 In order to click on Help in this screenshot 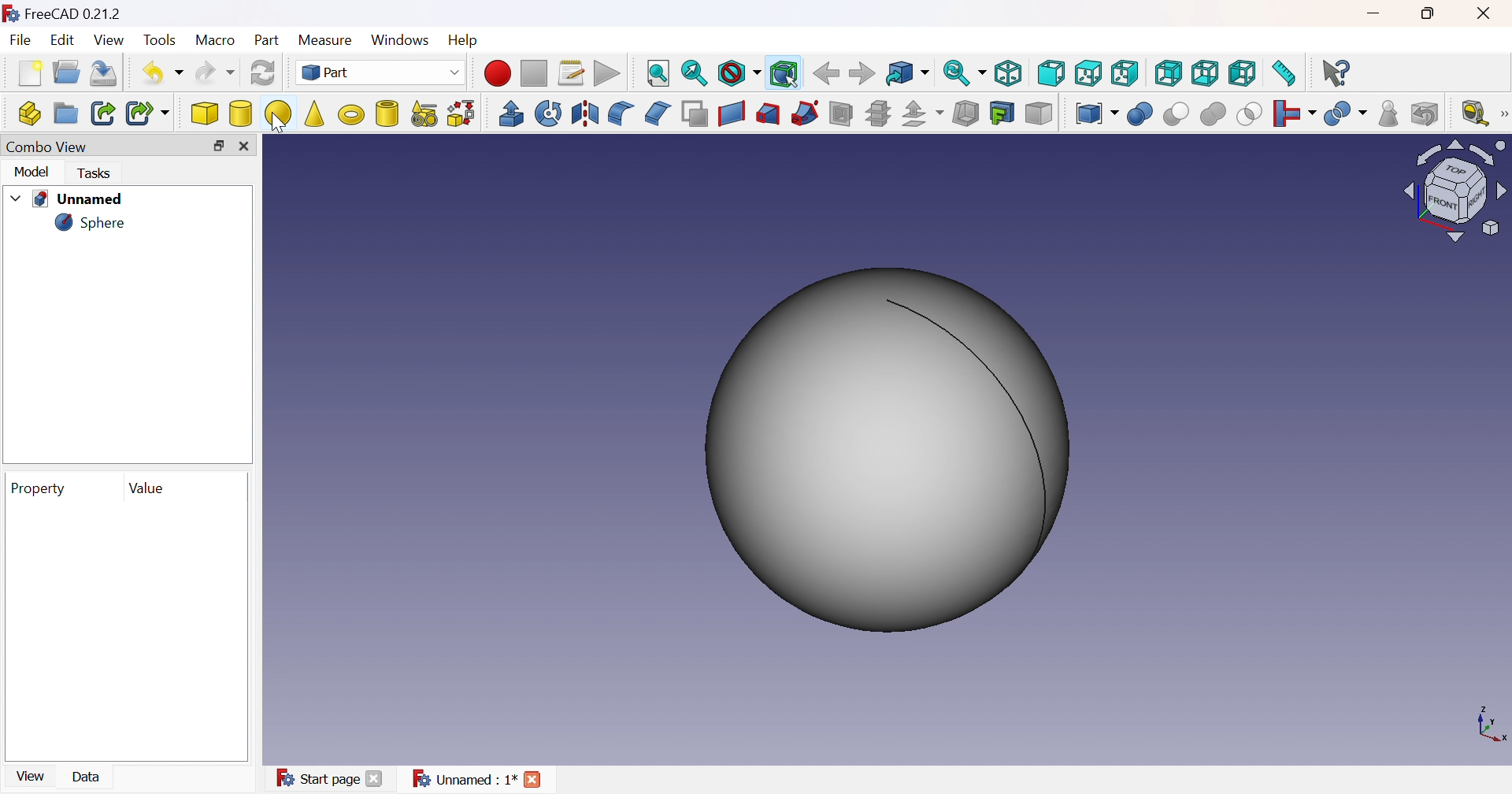, I will do `click(462, 40)`.